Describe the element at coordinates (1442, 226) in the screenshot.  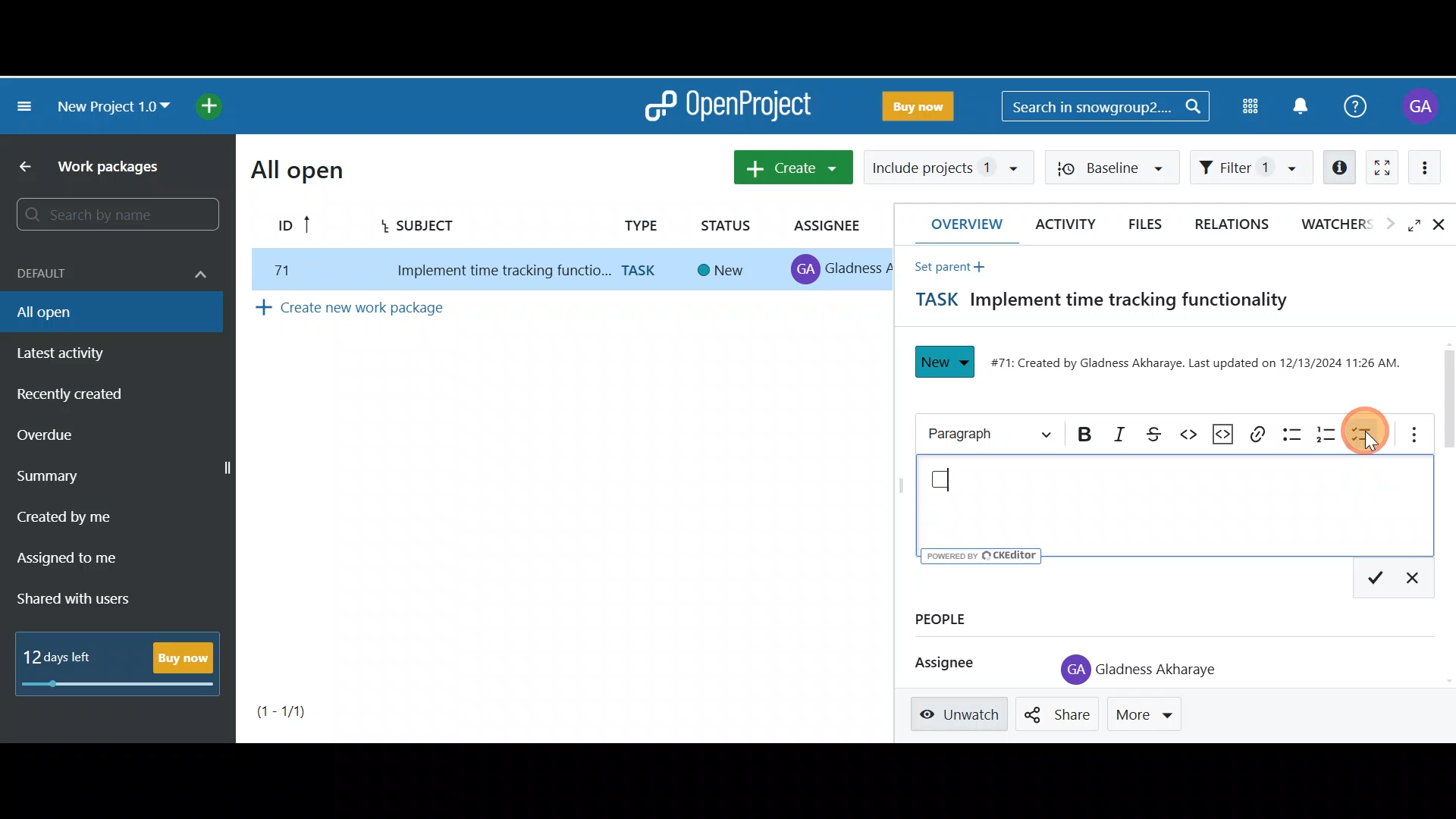
I see `Close details view` at that location.